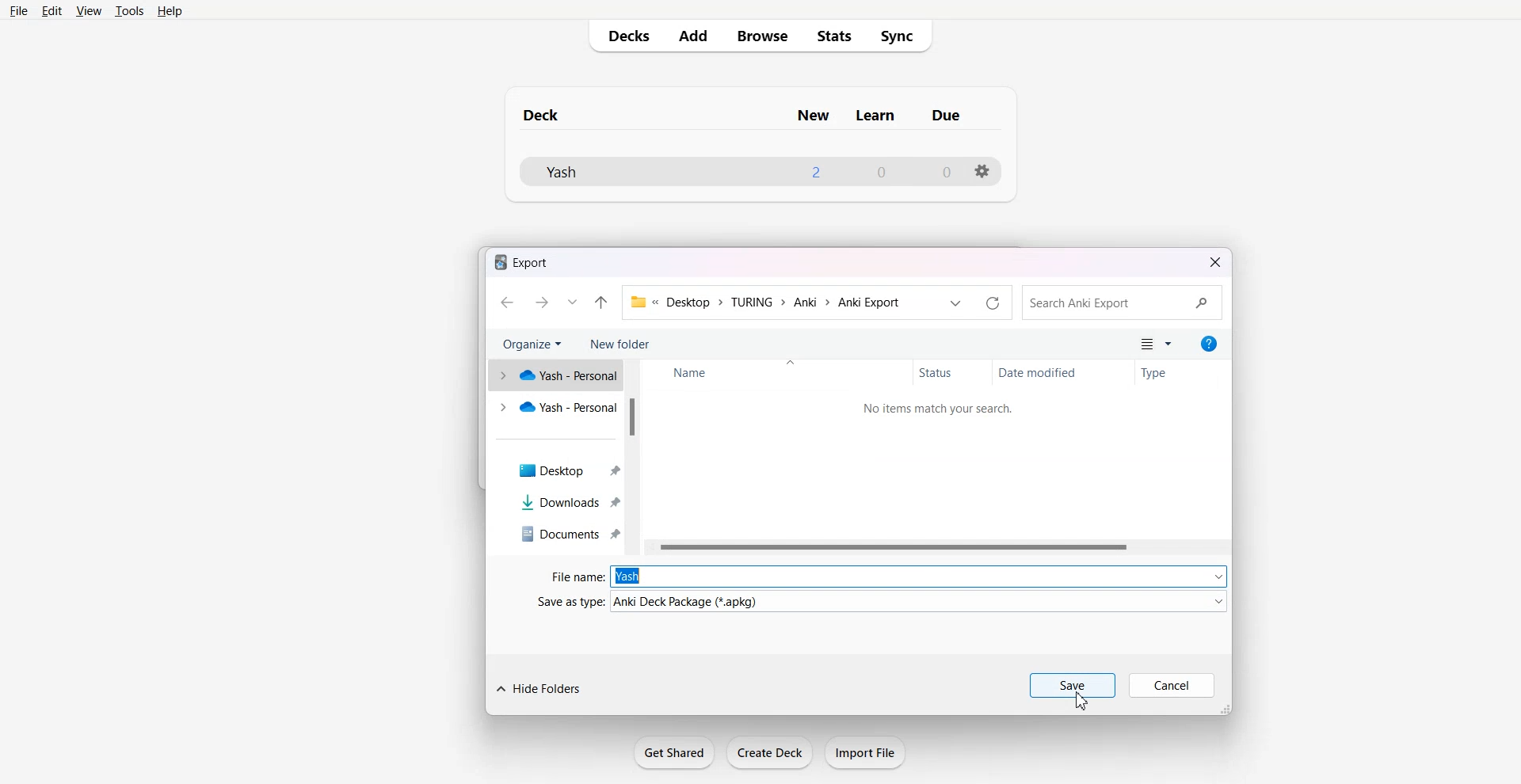 The height and width of the screenshot is (784, 1521). I want to click on Search Bar, so click(1124, 303).